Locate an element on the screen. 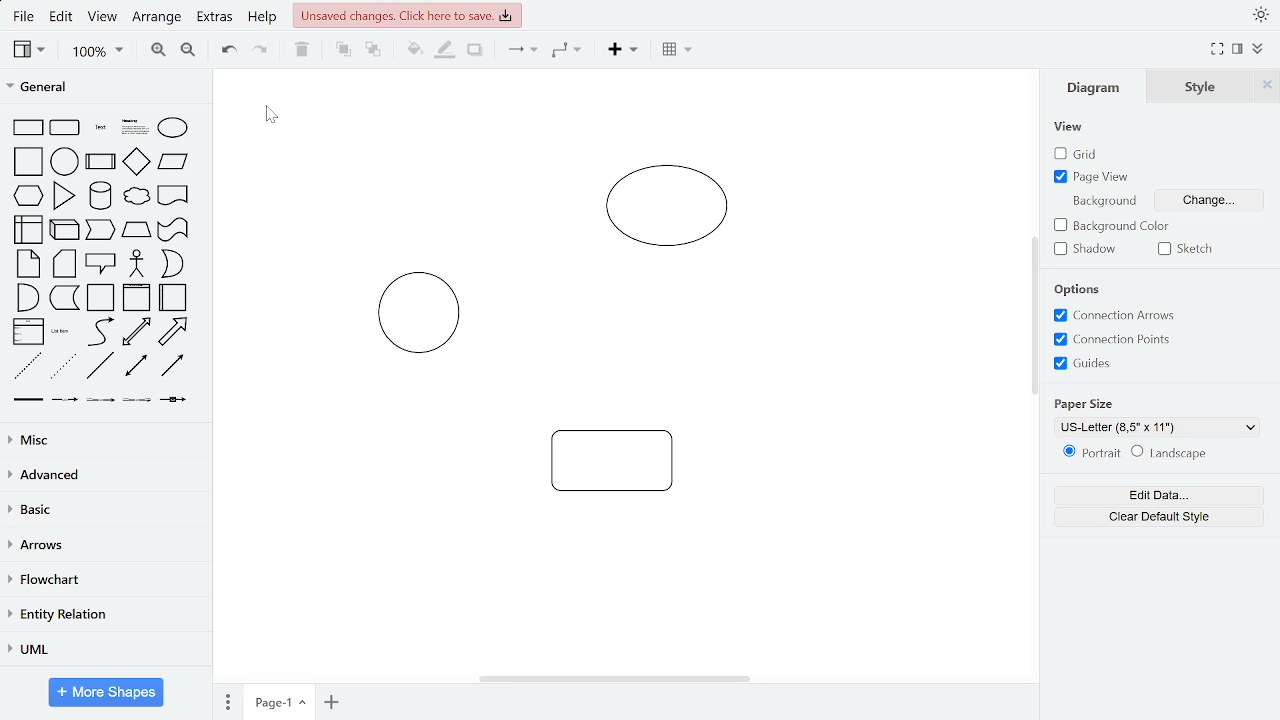 The width and height of the screenshot is (1280, 720). Current Diagrams is located at coordinates (625, 335).